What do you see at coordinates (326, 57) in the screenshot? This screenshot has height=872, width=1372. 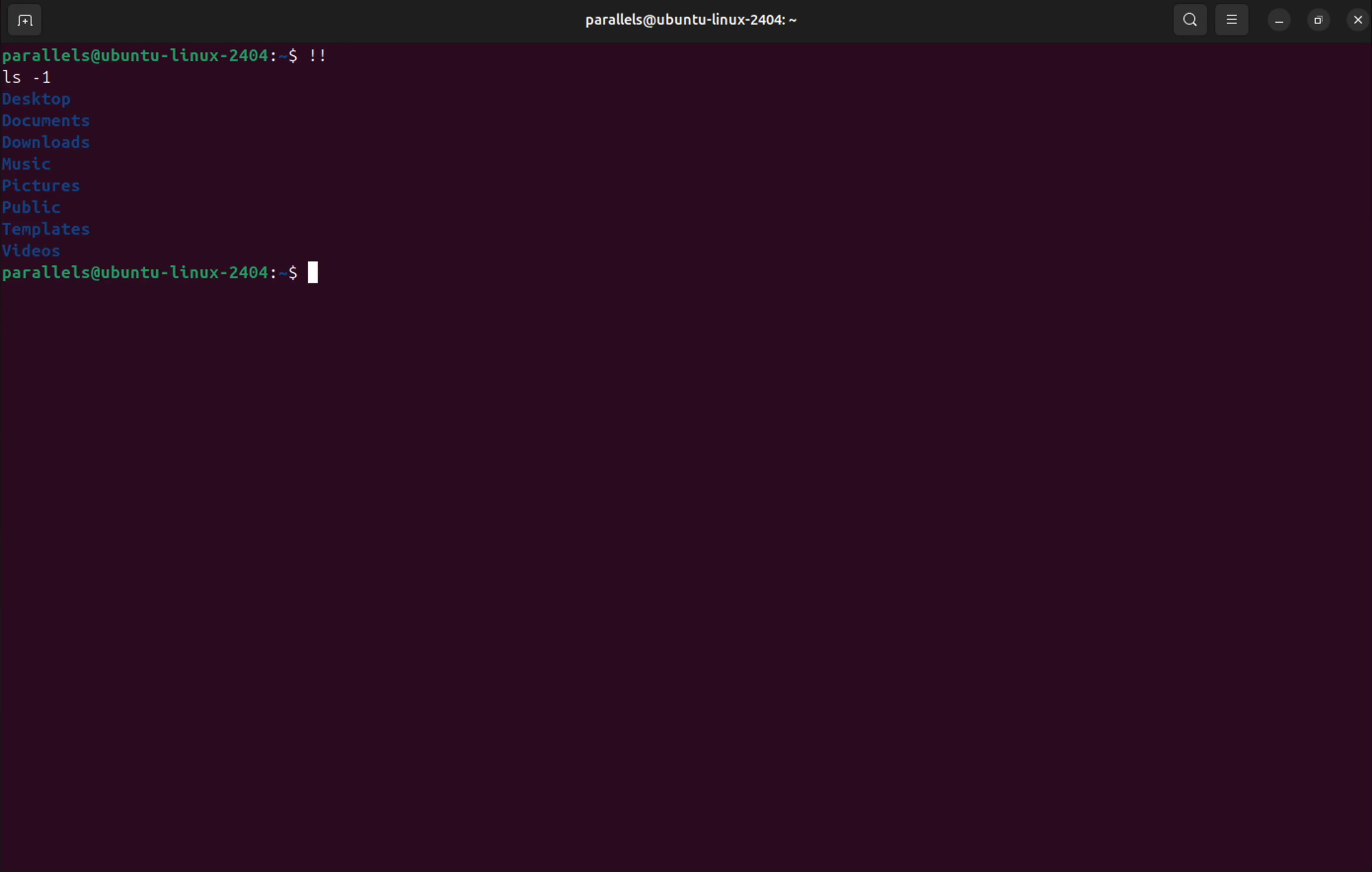 I see `!!` at bounding box center [326, 57].